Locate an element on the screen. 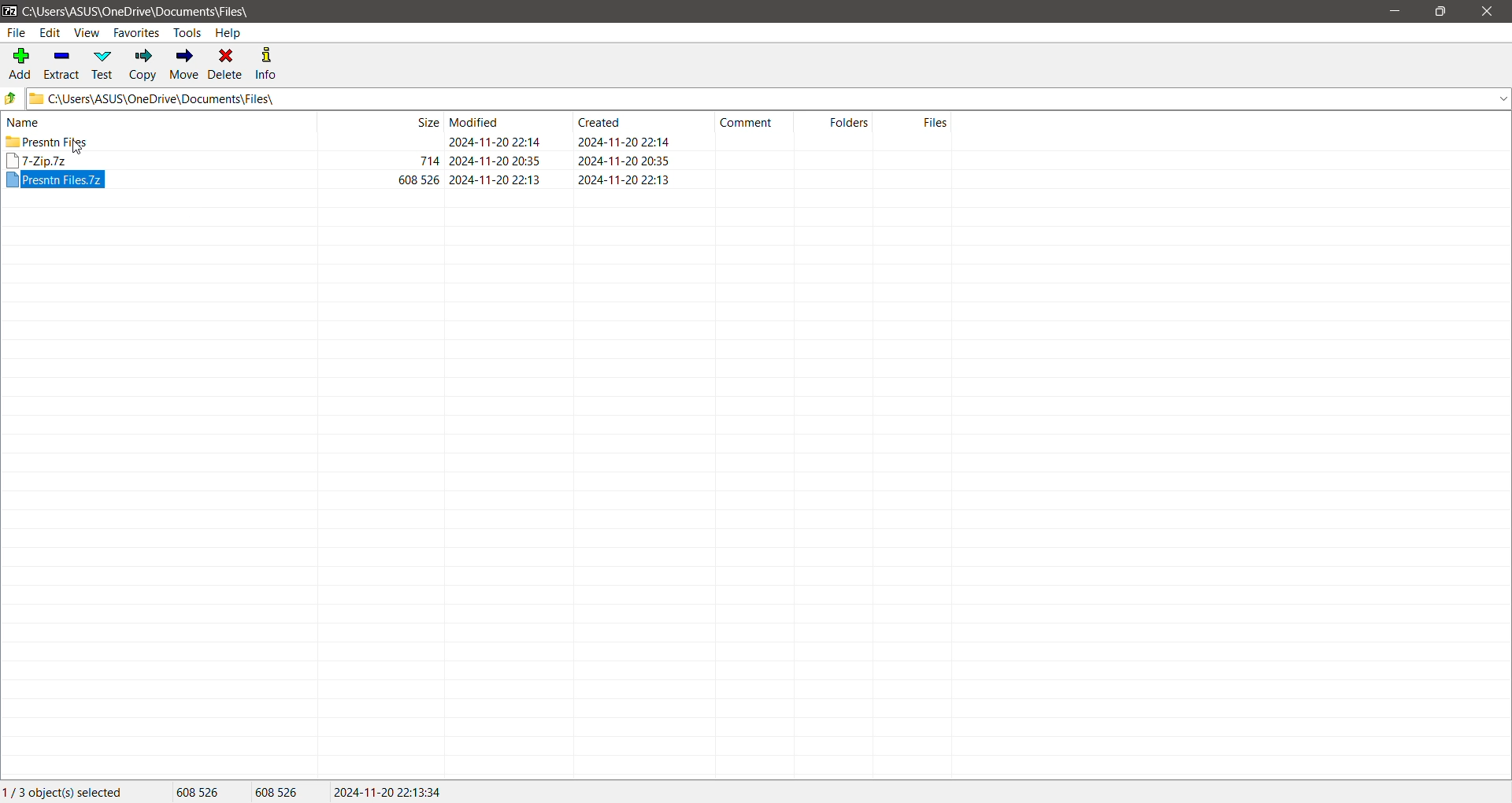 The height and width of the screenshot is (803, 1512). Current Folder Path is located at coordinates (139, 10).